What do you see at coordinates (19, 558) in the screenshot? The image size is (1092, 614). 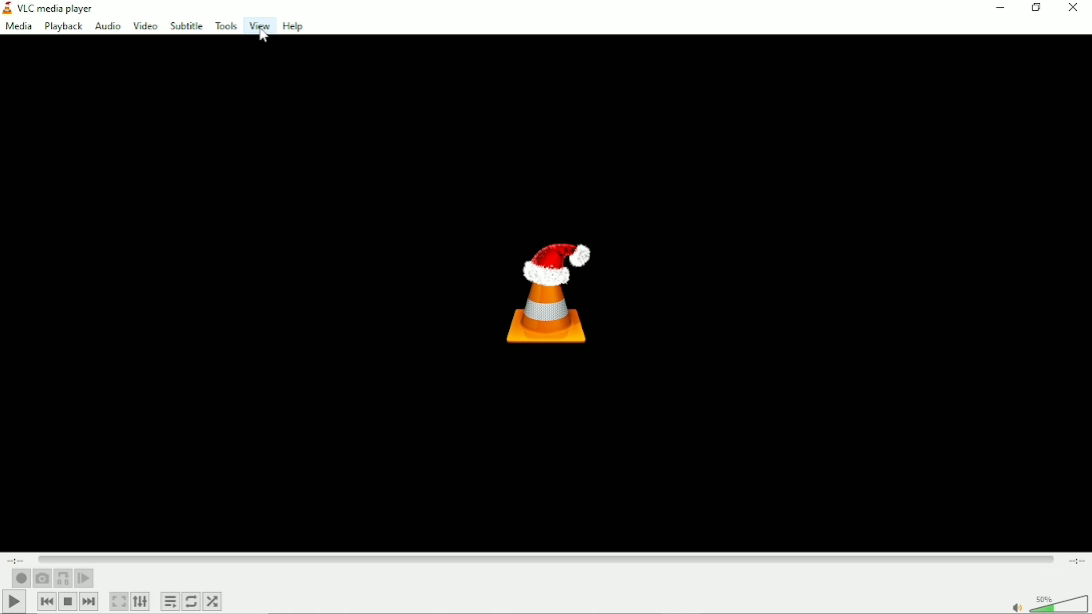 I see `Elapsed time` at bounding box center [19, 558].